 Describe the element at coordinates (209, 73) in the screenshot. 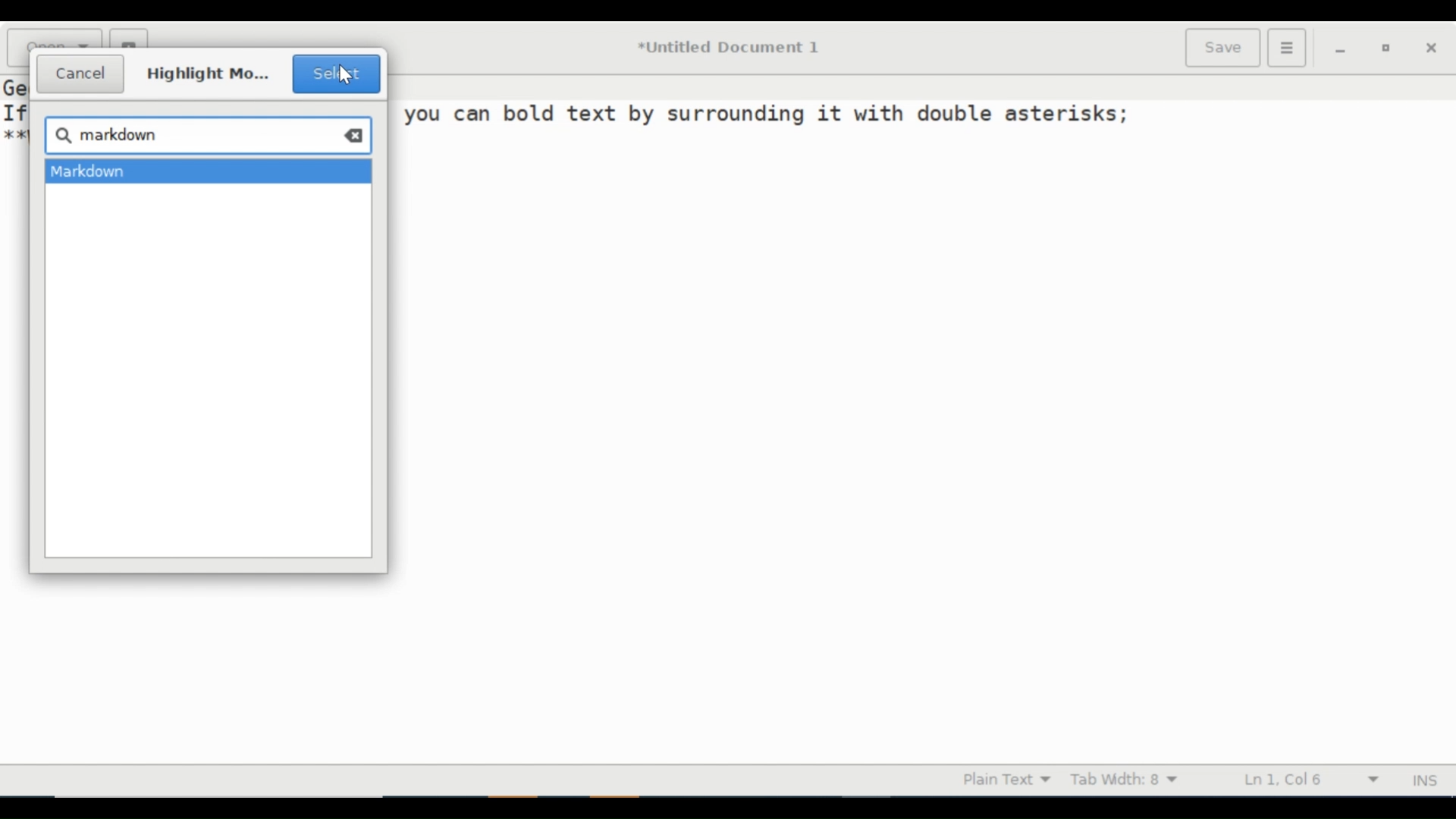

I see `Highlight mo...` at that location.